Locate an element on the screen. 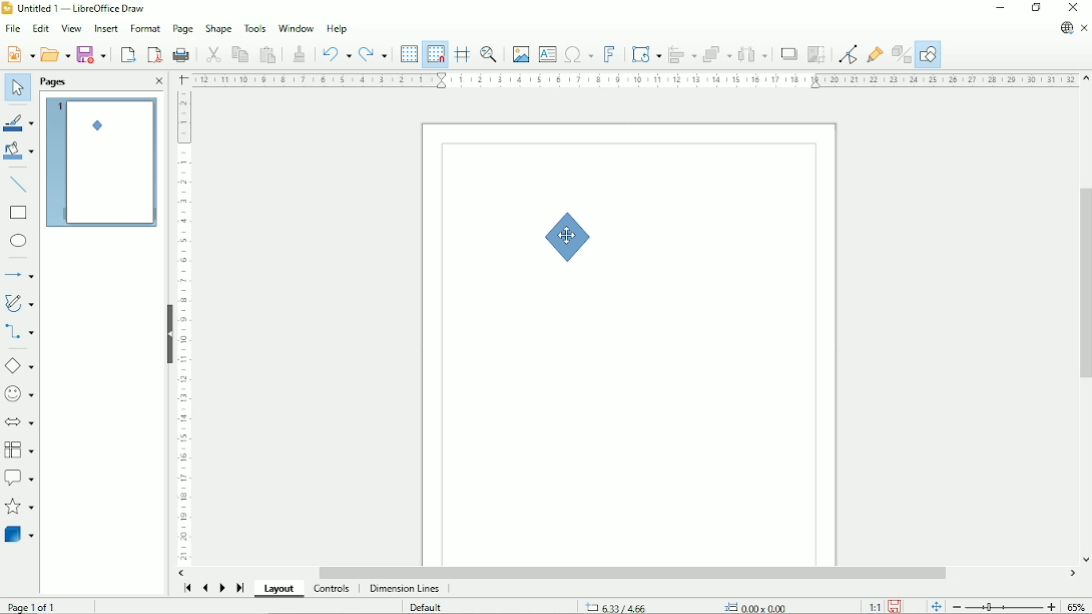 This screenshot has width=1092, height=614. Controls is located at coordinates (333, 589).